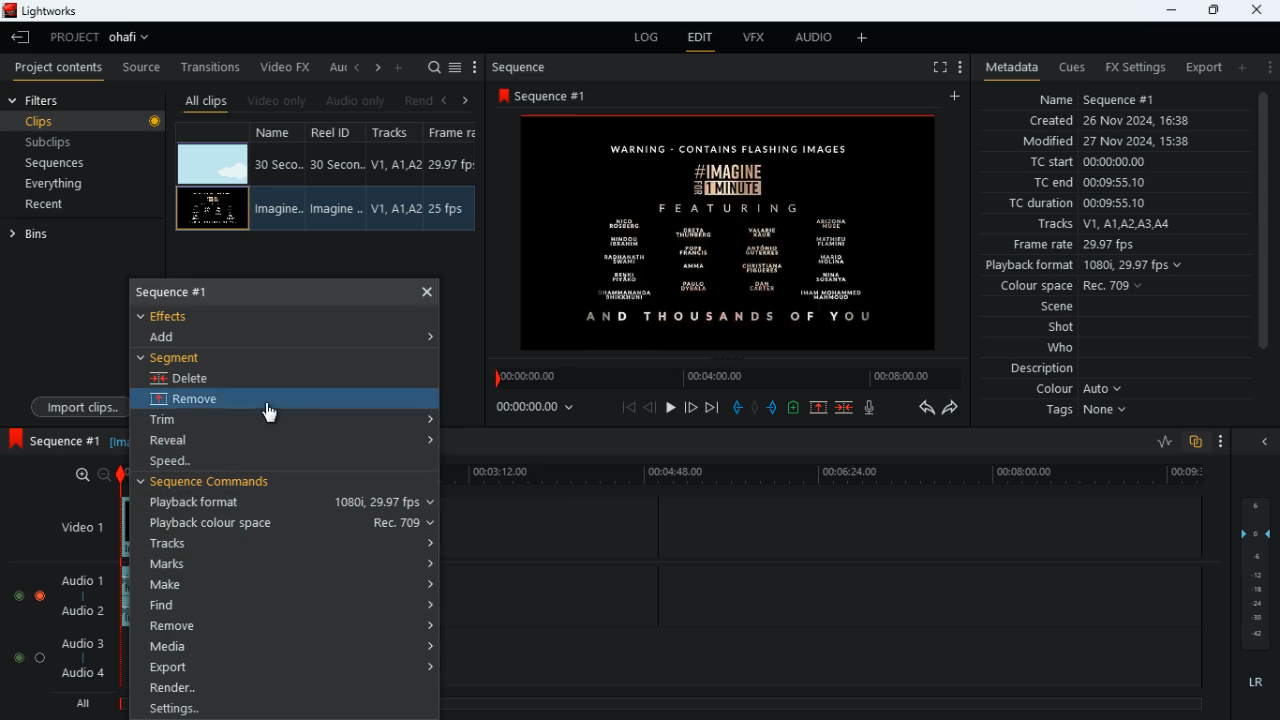 The width and height of the screenshot is (1280, 720). Describe the element at coordinates (1133, 66) in the screenshot. I see `fx settings` at that location.